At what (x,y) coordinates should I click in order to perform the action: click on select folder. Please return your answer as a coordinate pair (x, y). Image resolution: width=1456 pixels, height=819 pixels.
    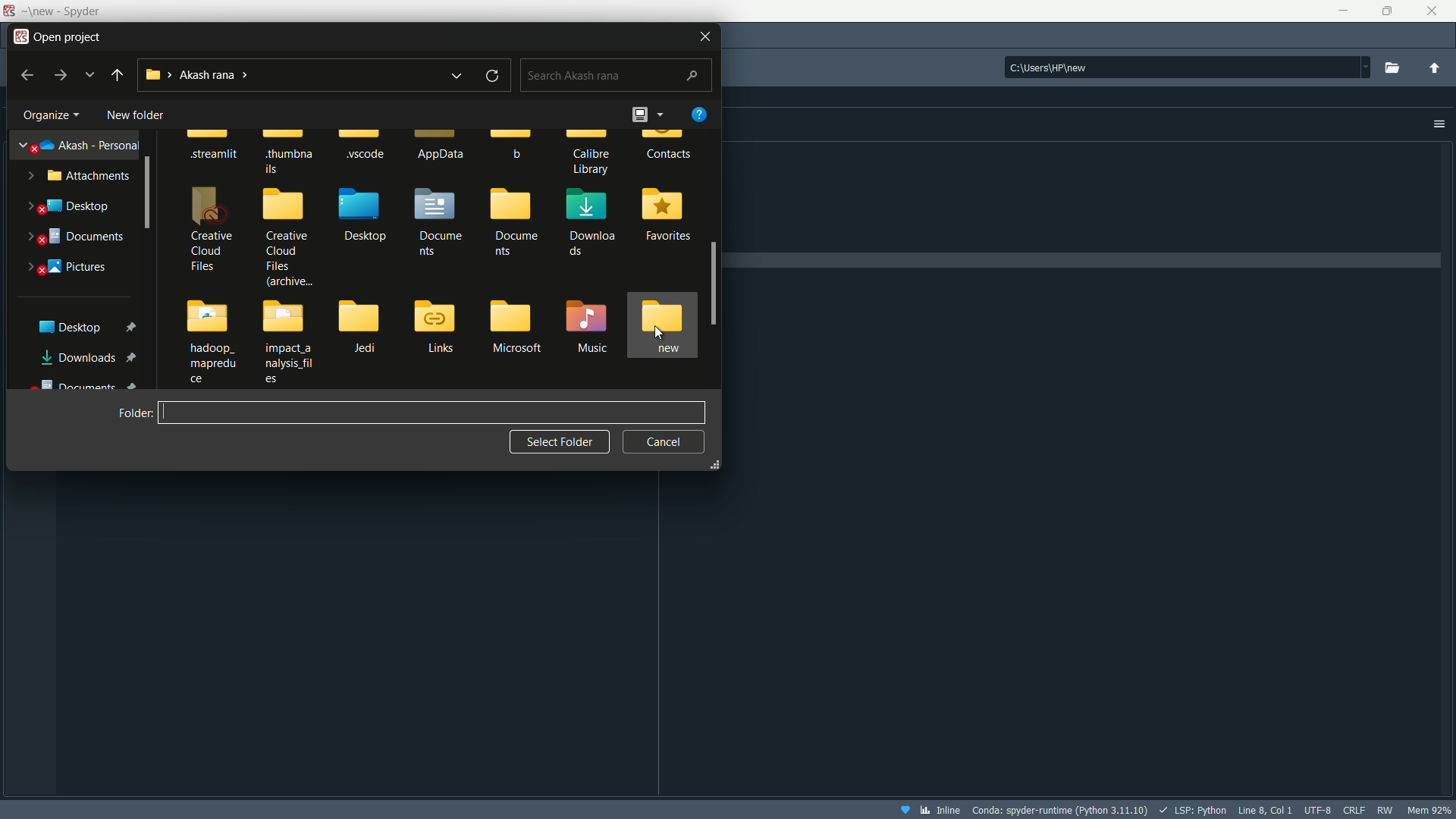
    Looking at the image, I should click on (559, 442).